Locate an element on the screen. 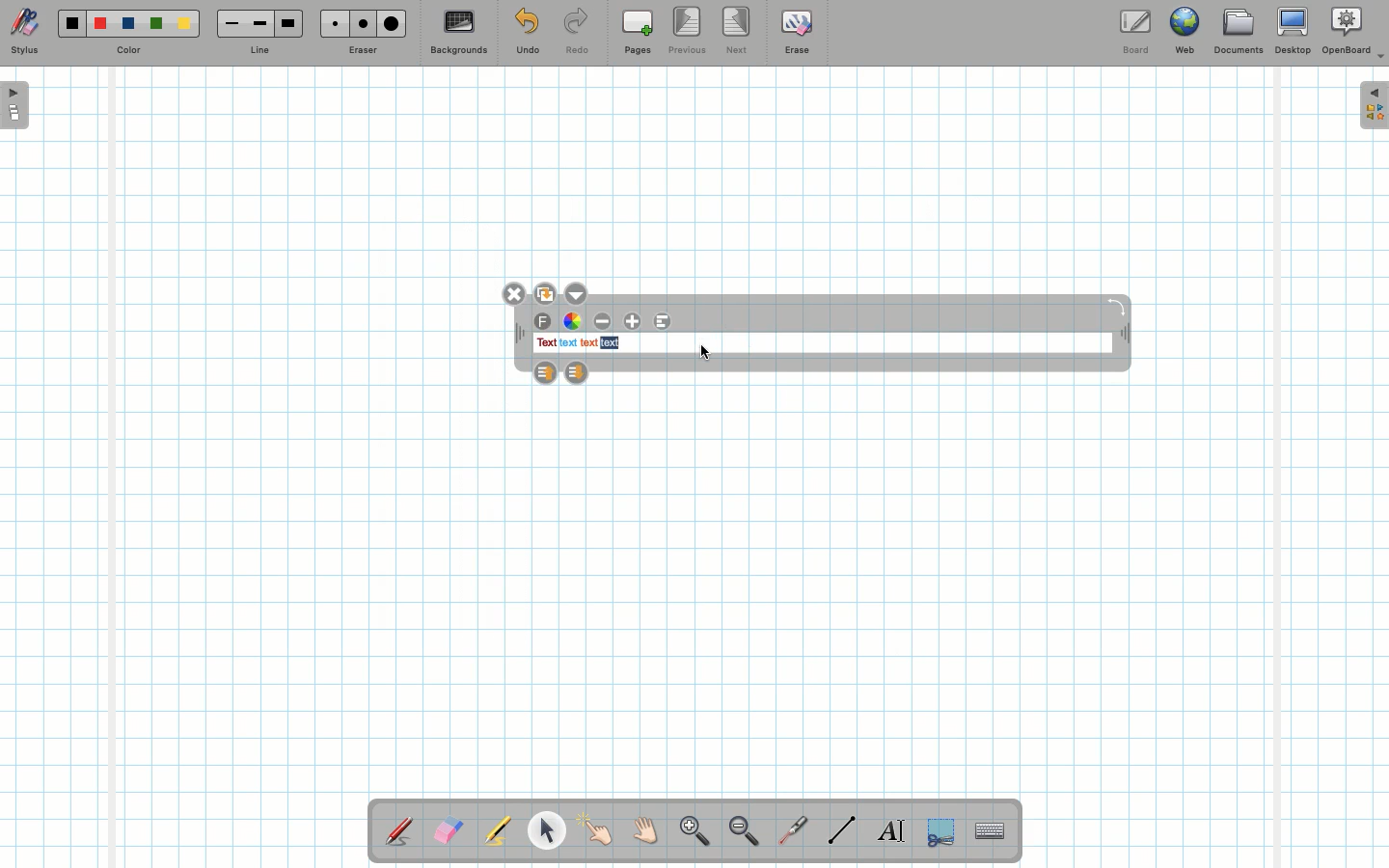 The width and height of the screenshot is (1389, 868). Erase is located at coordinates (796, 31).